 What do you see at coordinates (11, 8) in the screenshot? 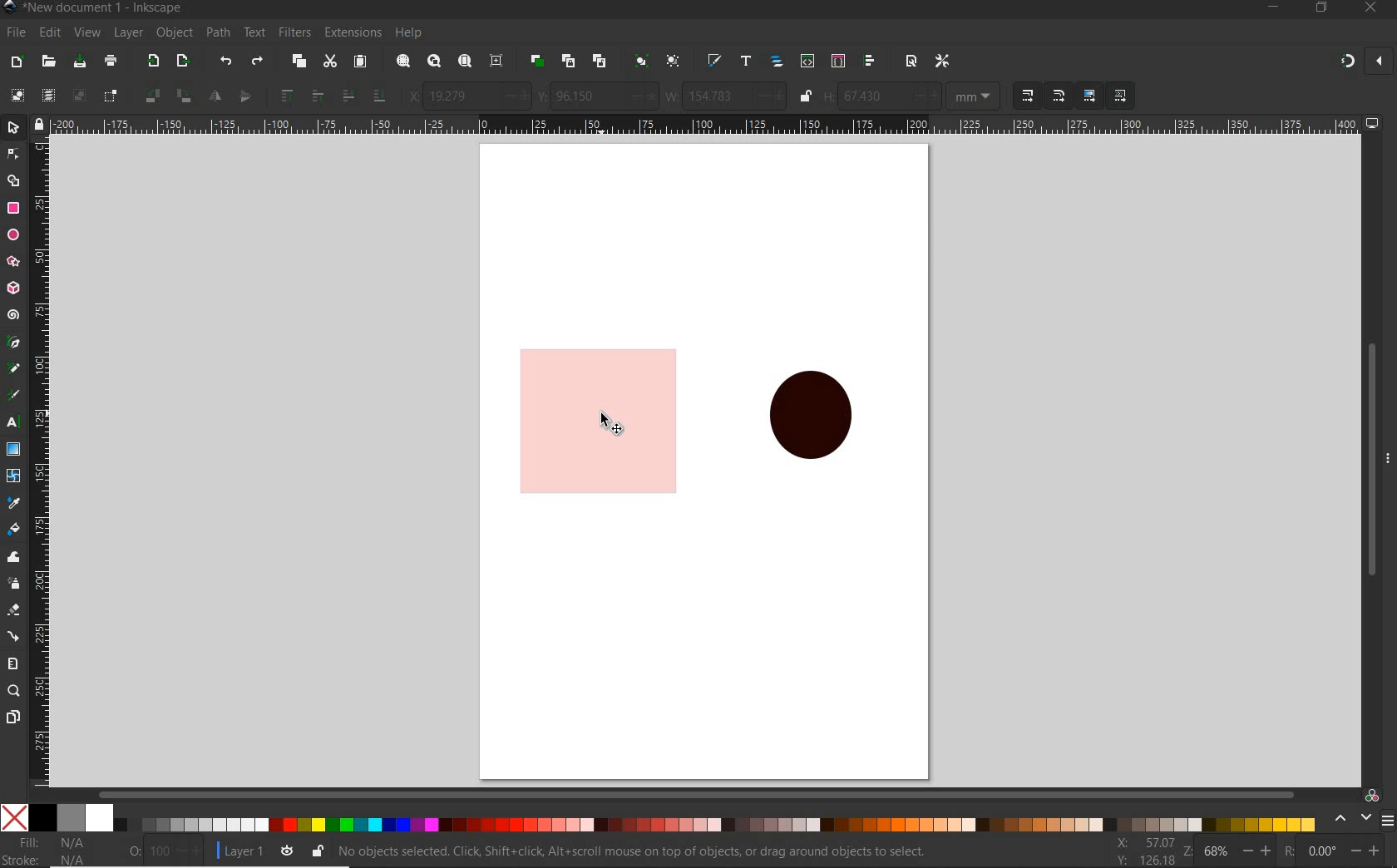
I see `Inkscape` at bounding box center [11, 8].